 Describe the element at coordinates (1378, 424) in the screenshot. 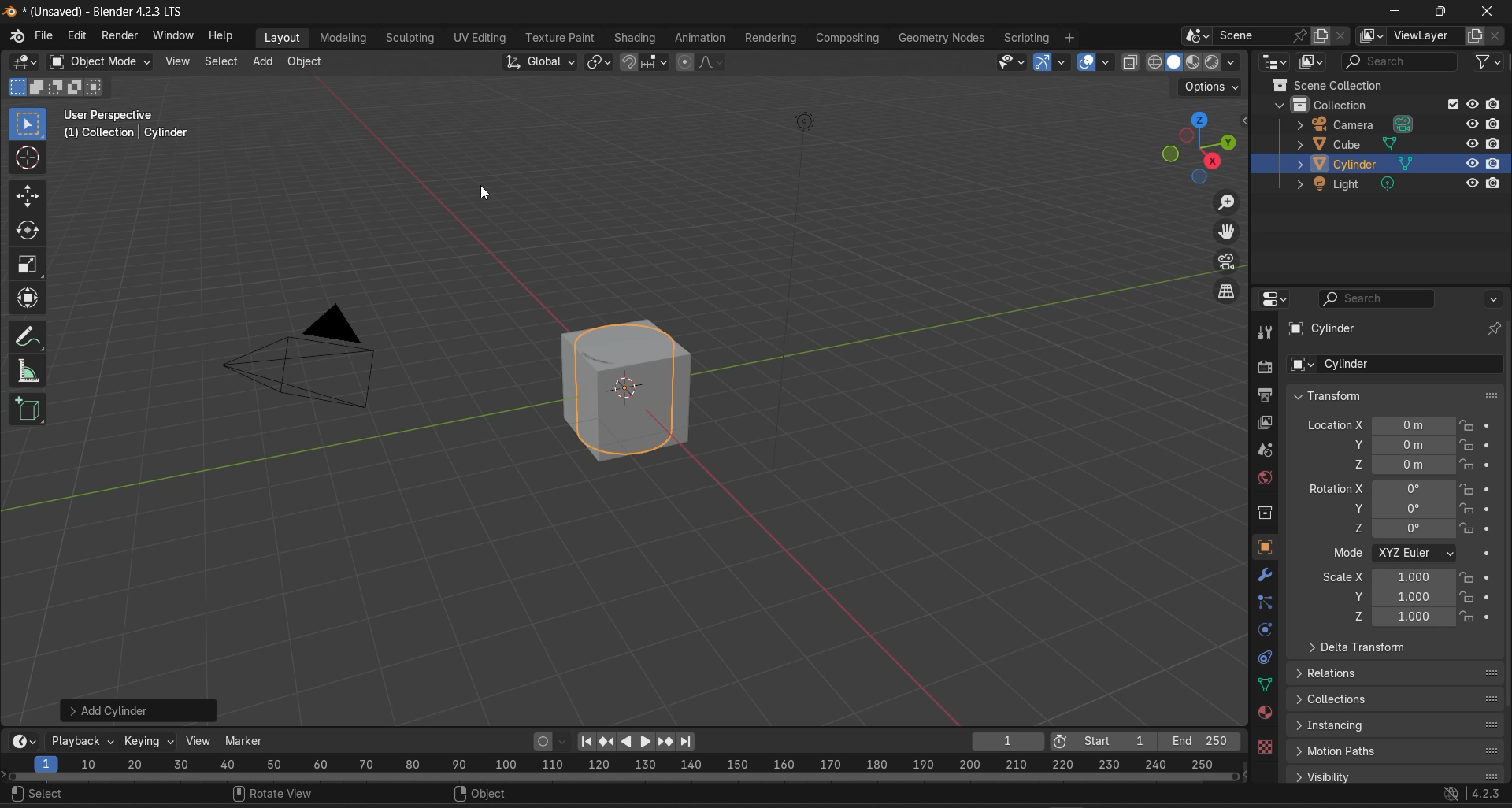

I see `location x` at that location.